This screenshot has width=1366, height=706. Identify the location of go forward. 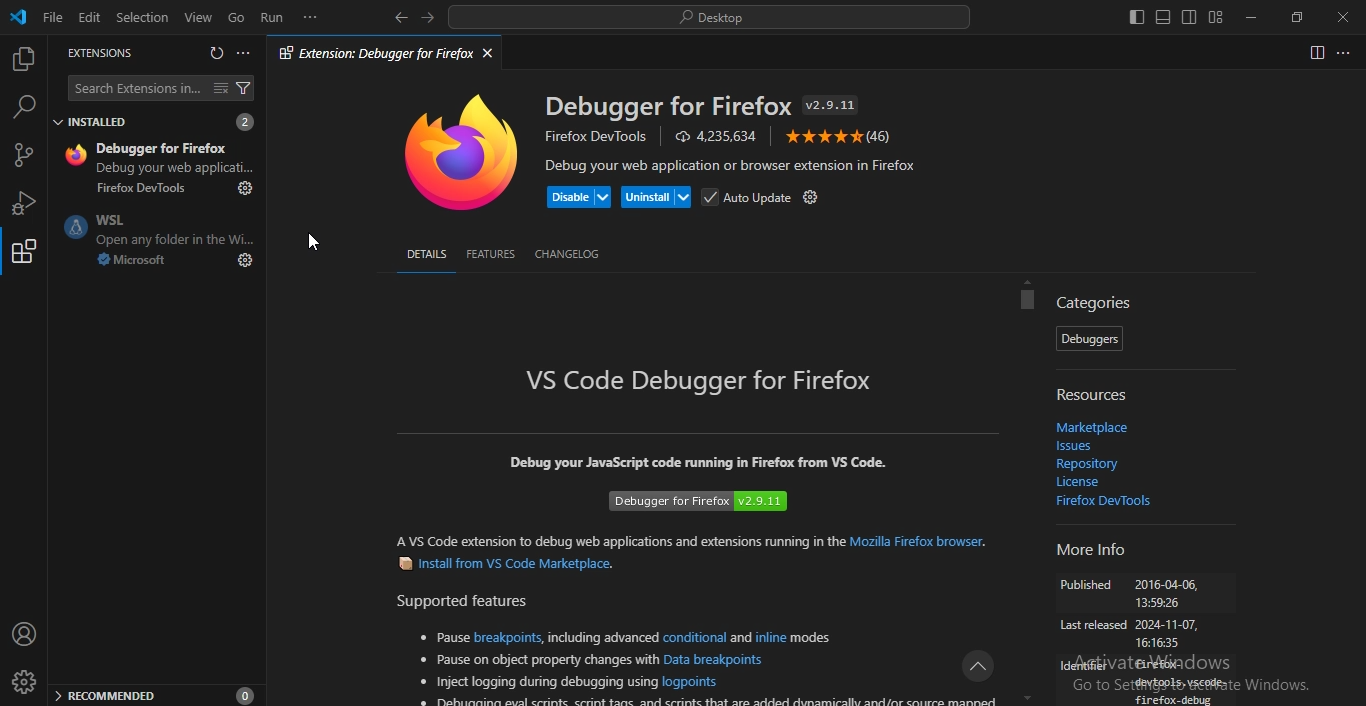
(430, 19).